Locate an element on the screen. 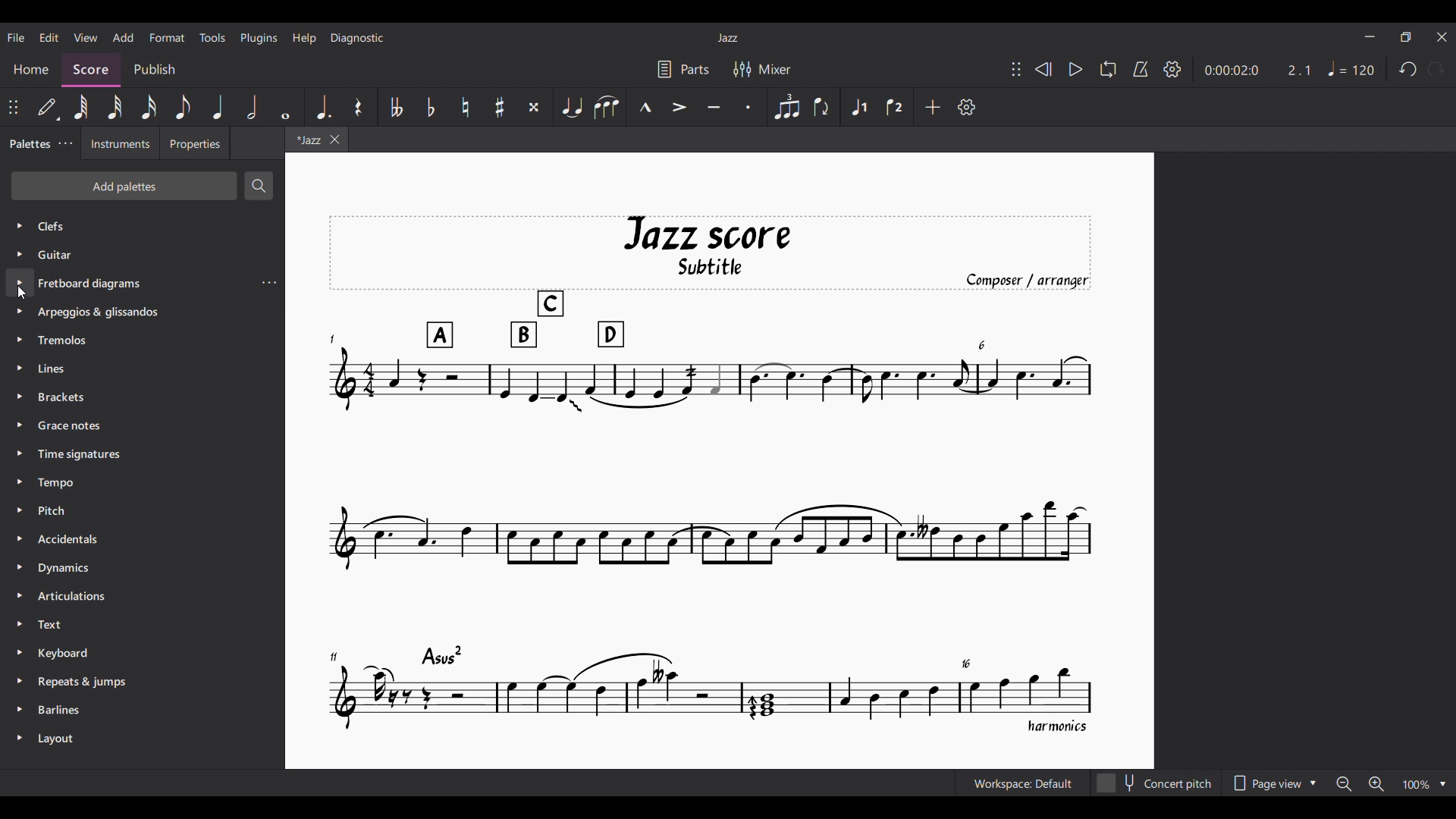  Augmentation dot is located at coordinates (322, 106).